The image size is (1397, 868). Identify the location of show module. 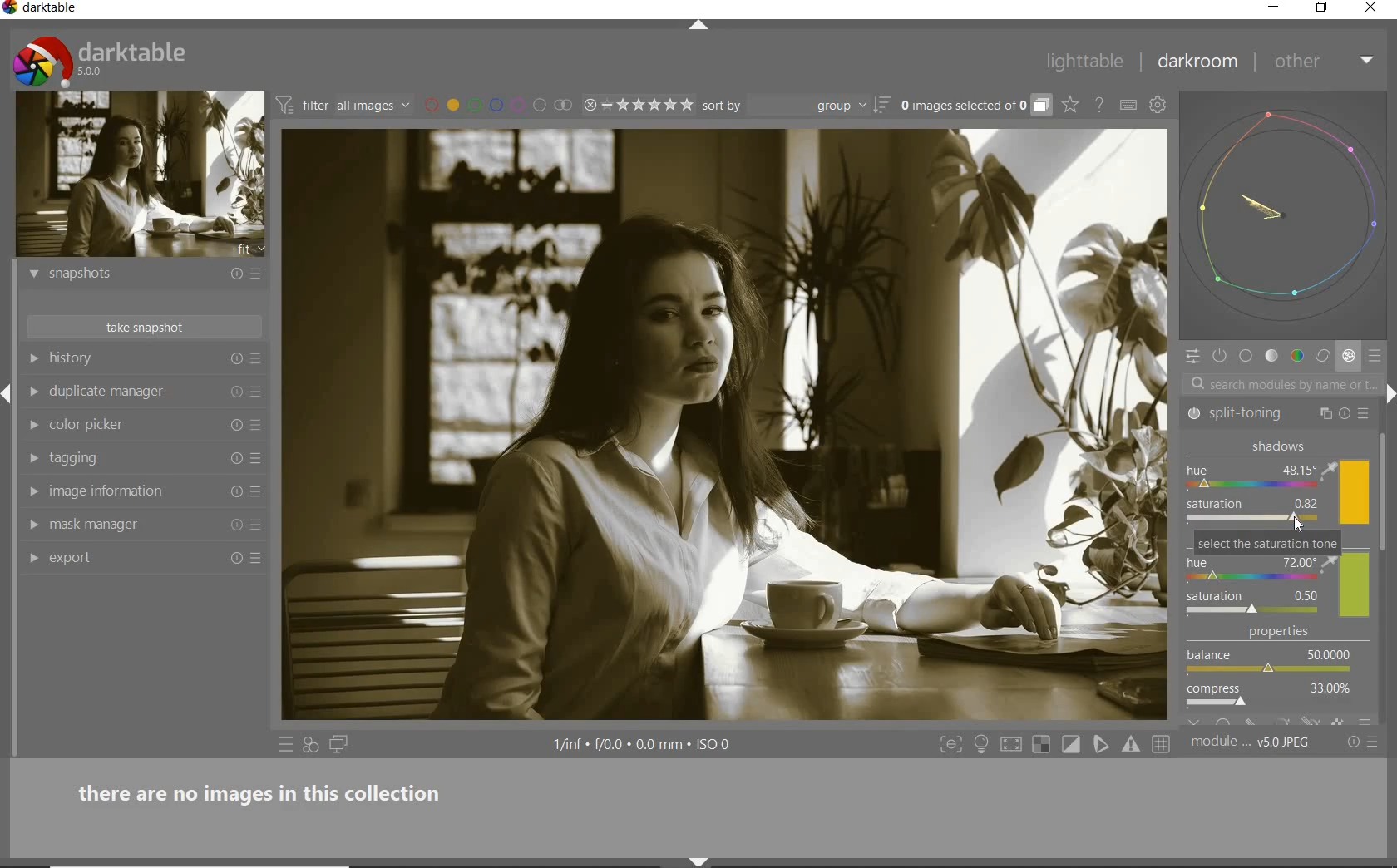
(37, 426).